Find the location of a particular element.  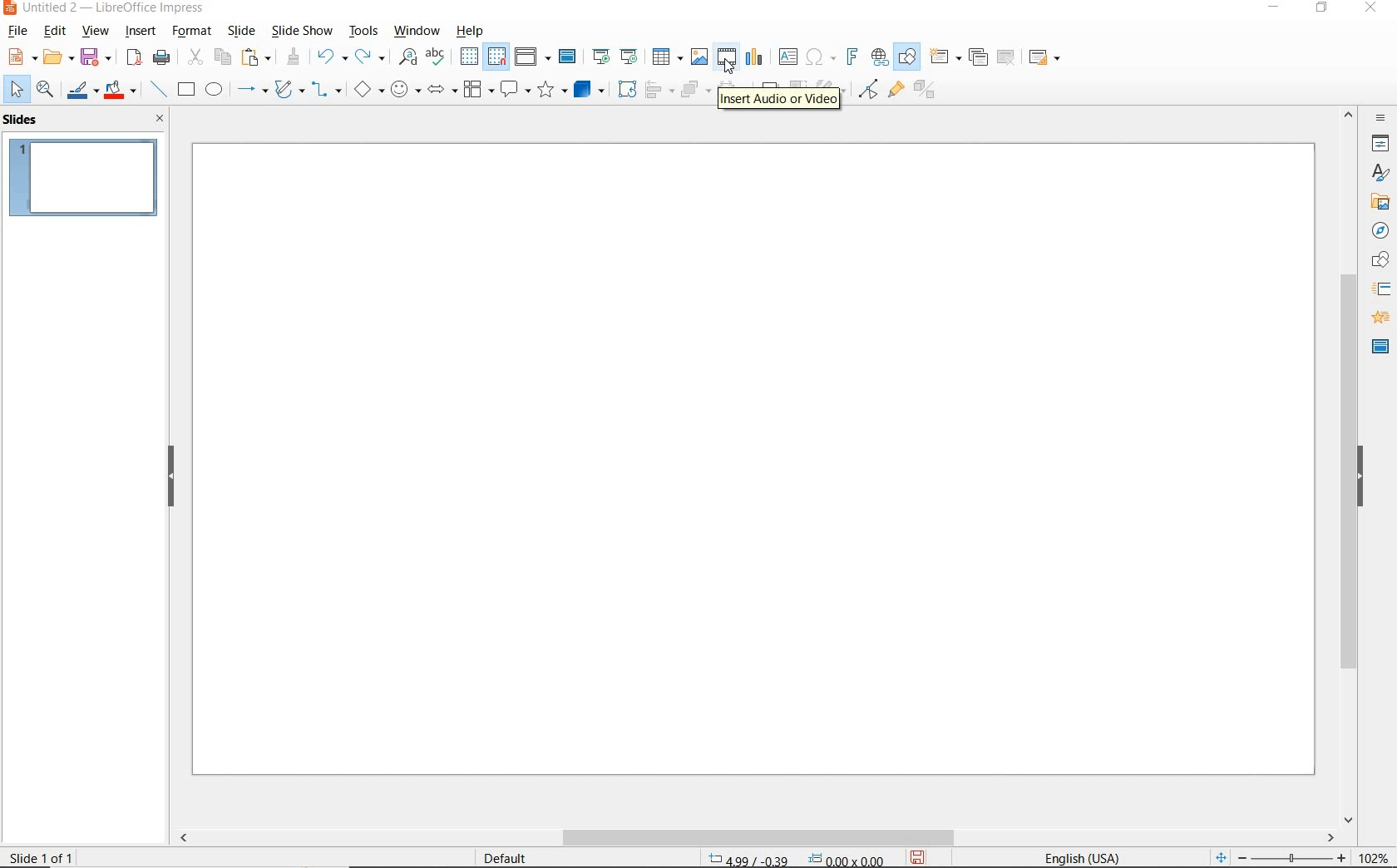

NEW SLIDE is located at coordinates (945, 56).